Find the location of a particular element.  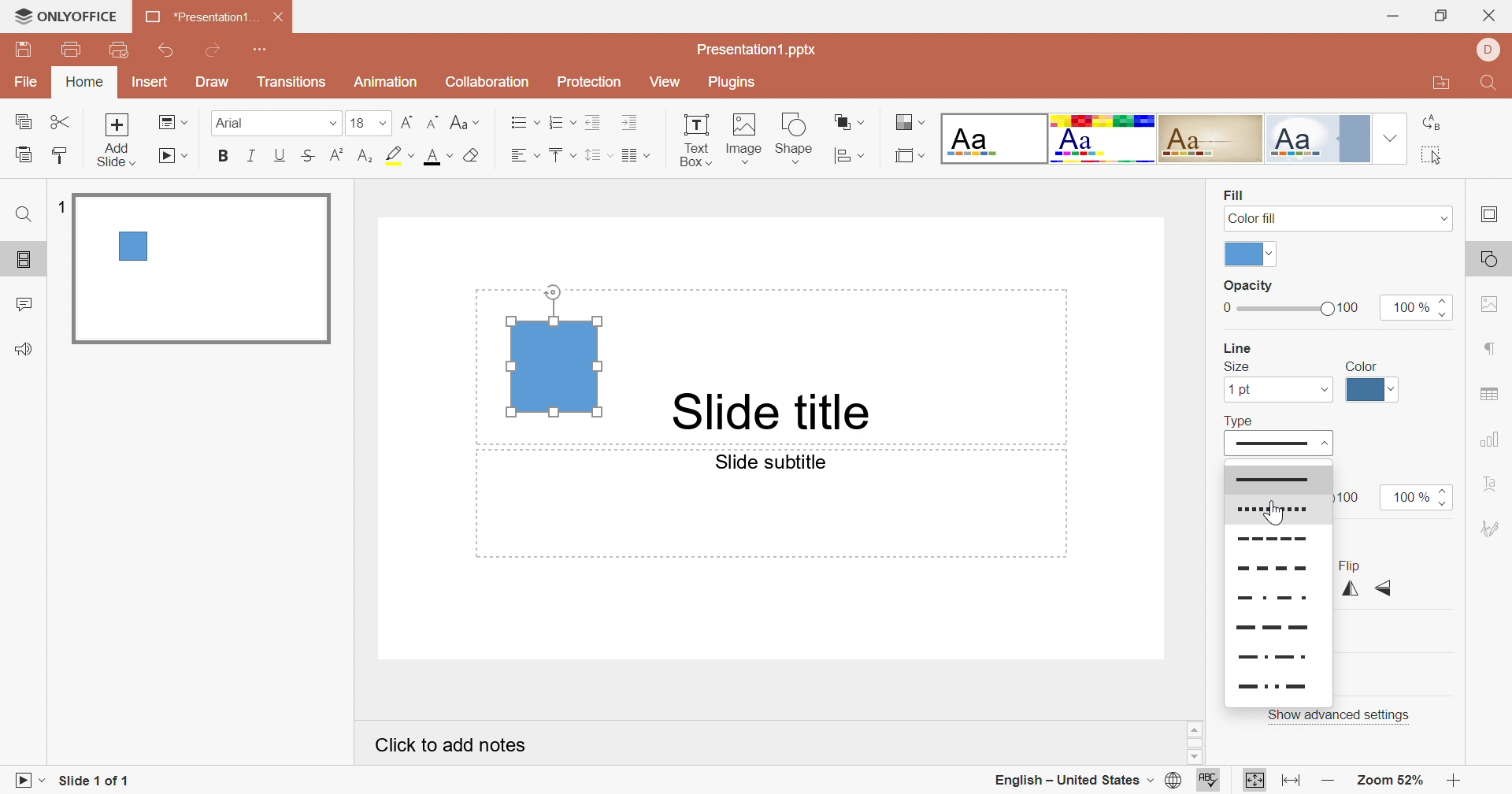

line is located at coordinates (1279, 655).